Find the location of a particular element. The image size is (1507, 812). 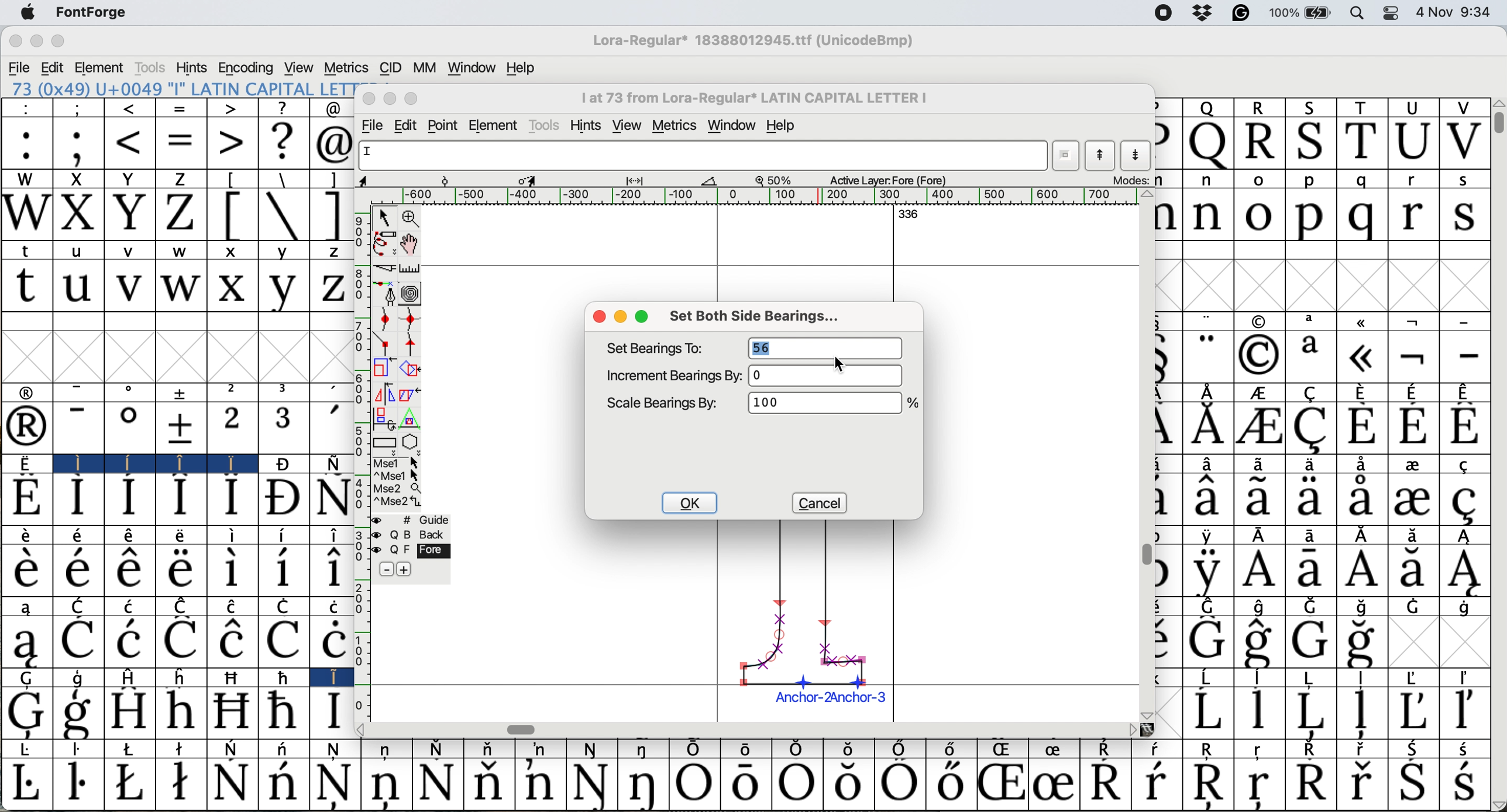

Symbol is located at coordinates (745, 749).